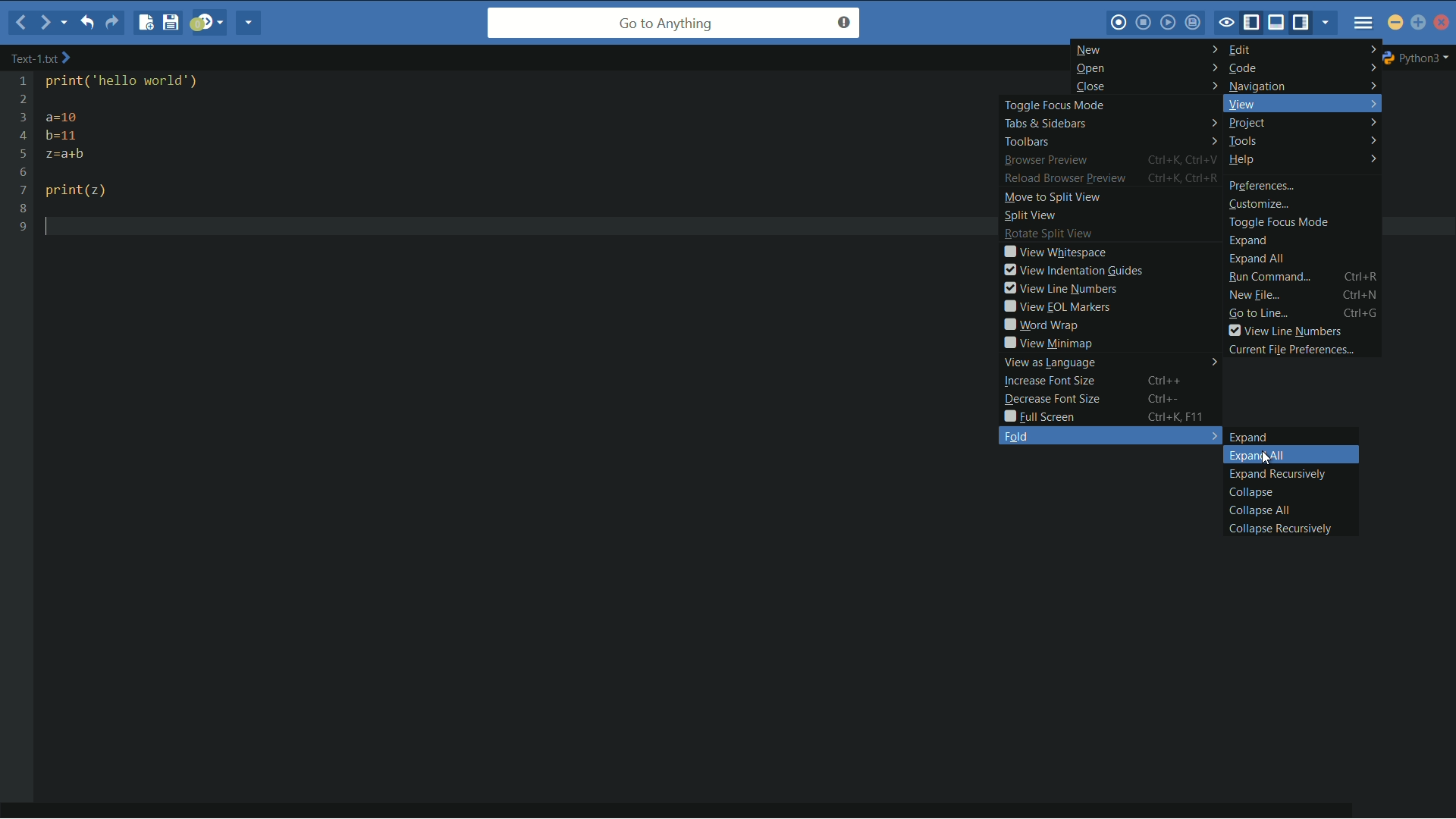  Describe the element at coordinates (1363, 276) in the screenshot. I see `Ctrl+R` at that location.